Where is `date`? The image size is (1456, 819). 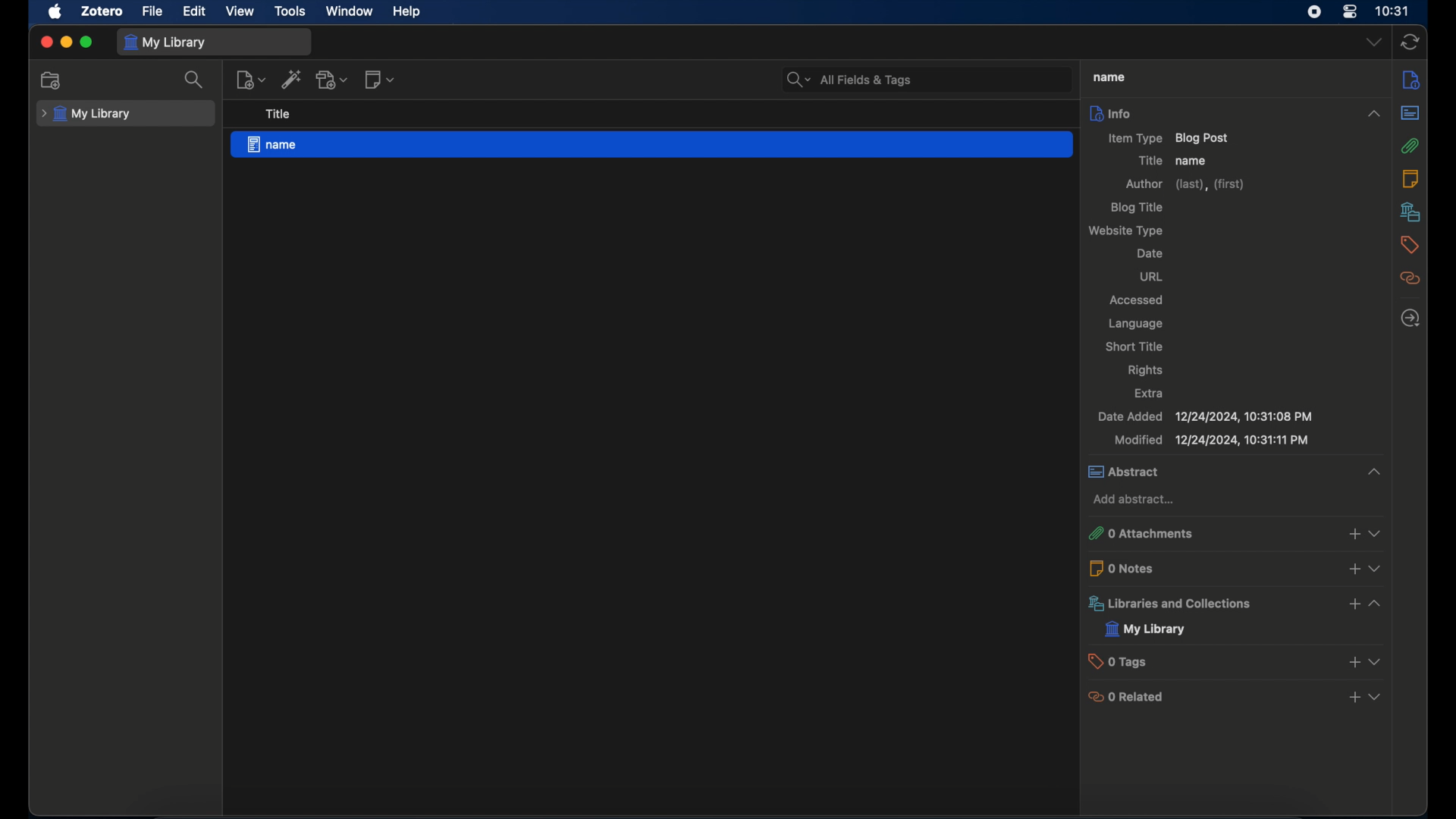
date is located at coordinates (1150, 253).